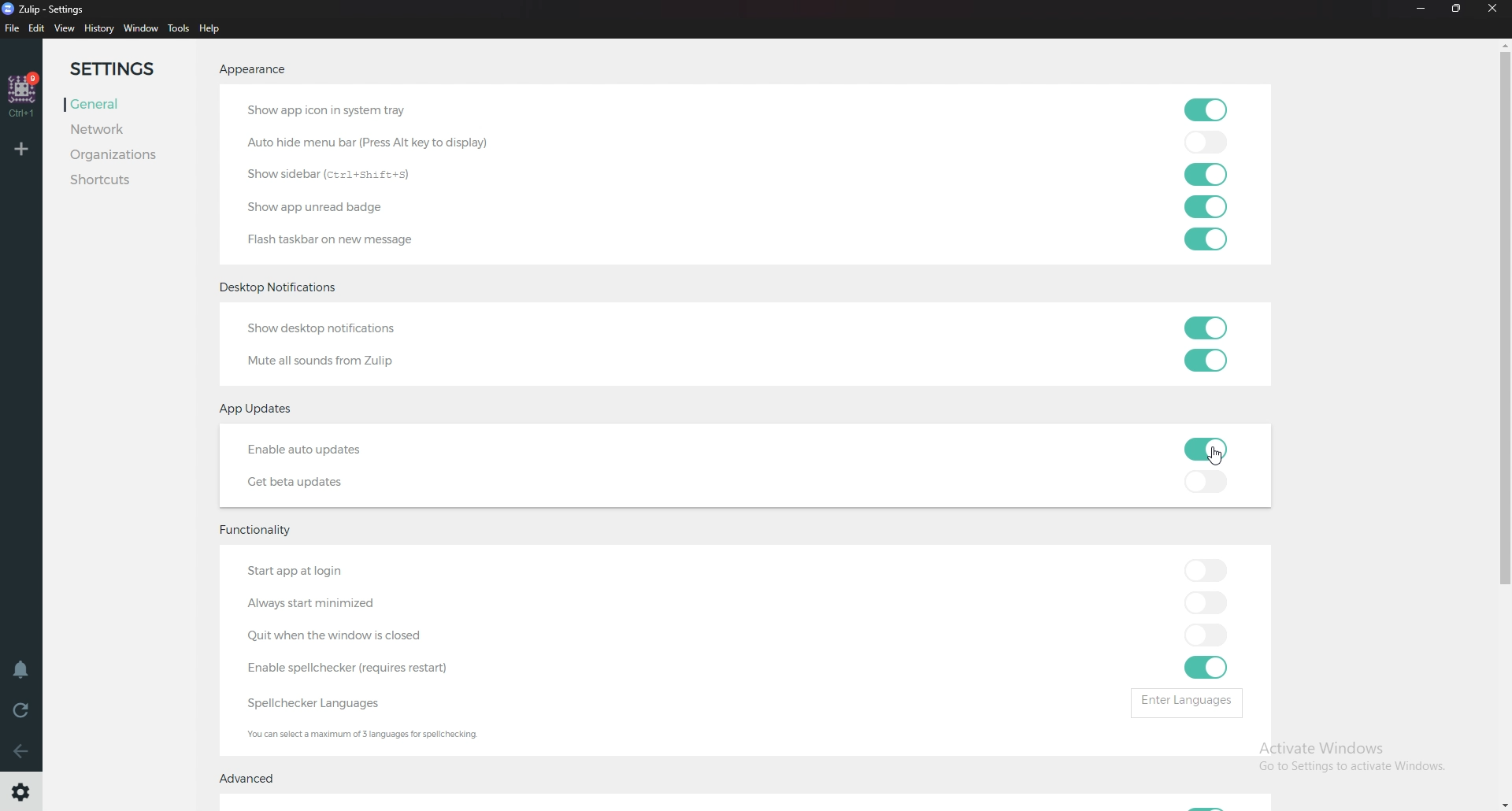 The height and width of the screenshot is (811, 1512). Describe the element at coordinates (118, 103) in the screenshot. I see `general` at that location.